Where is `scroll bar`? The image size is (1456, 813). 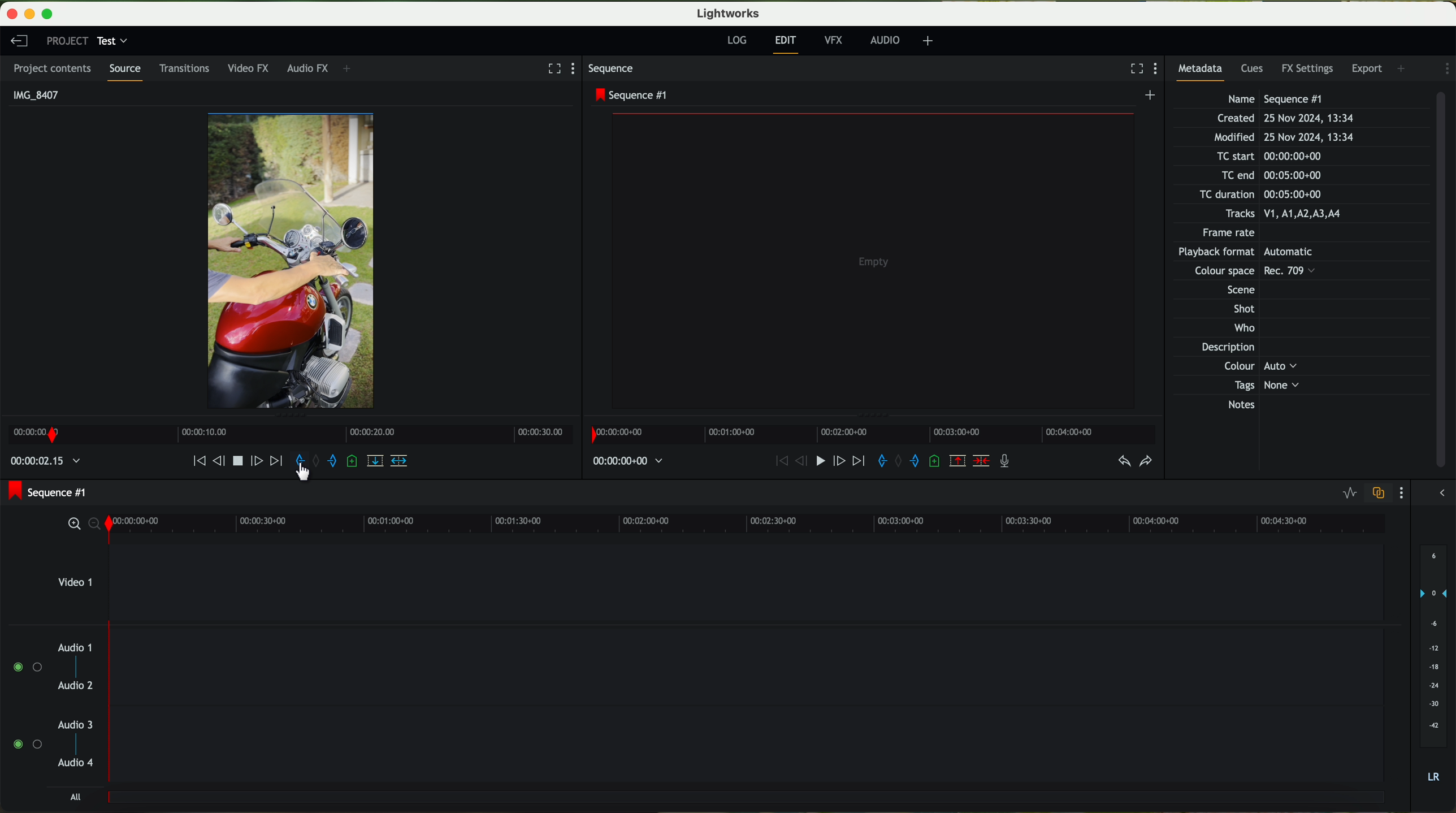 scroll bar is located at coordinates (1446, 281).